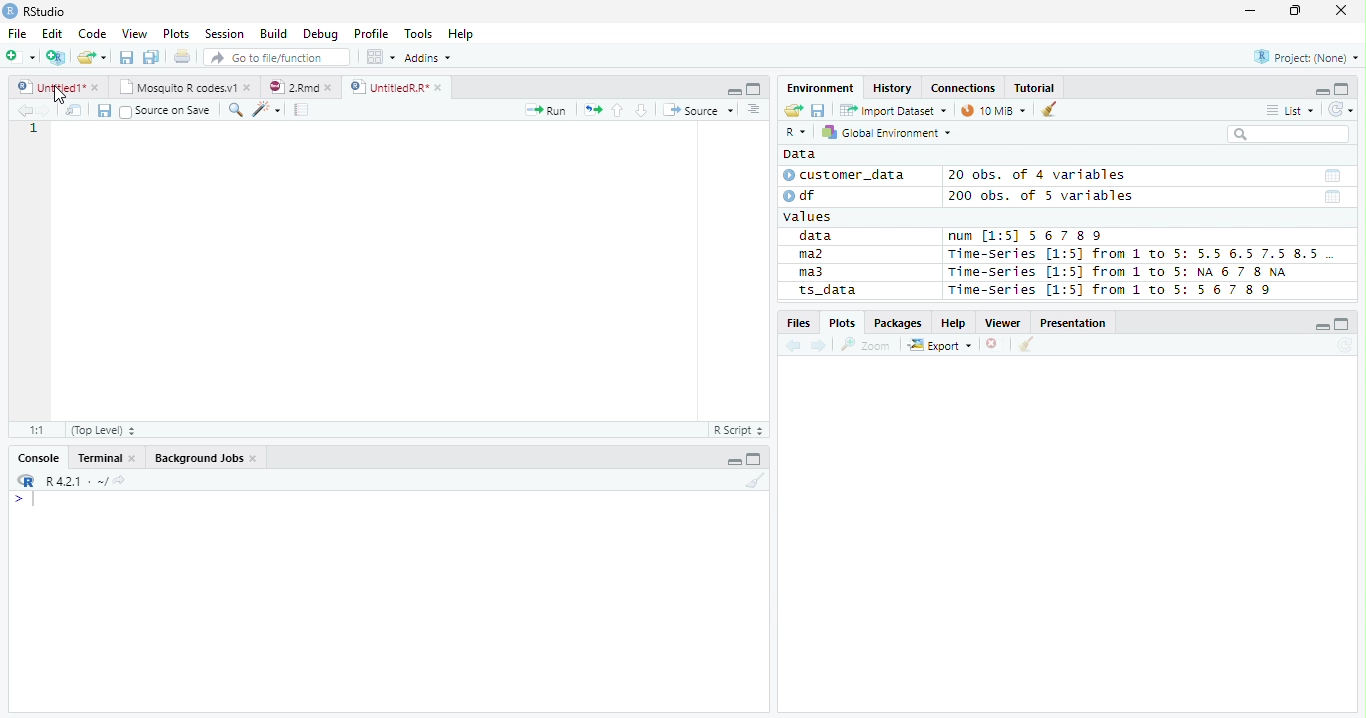  I want to click on Files, so click(798, 323).